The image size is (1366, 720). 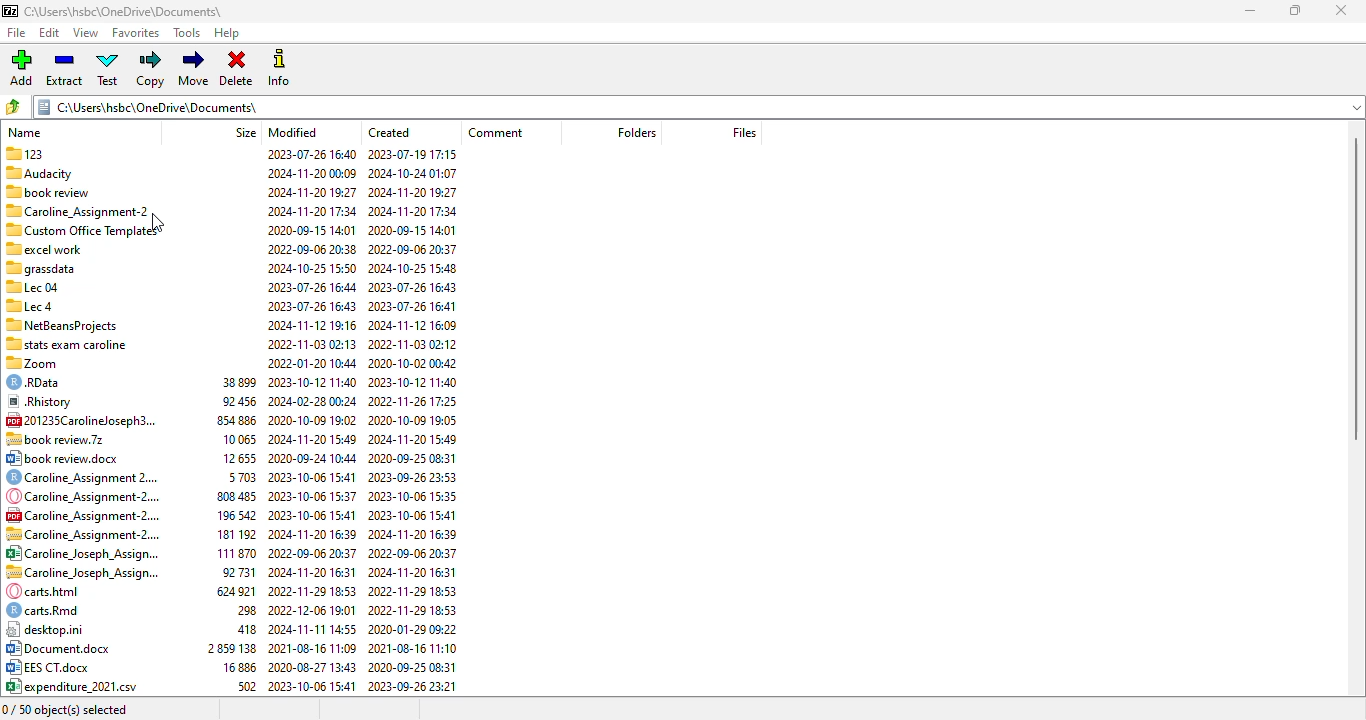 I want to click on 2022-11-03 02:13, so click(x=312, y=343).